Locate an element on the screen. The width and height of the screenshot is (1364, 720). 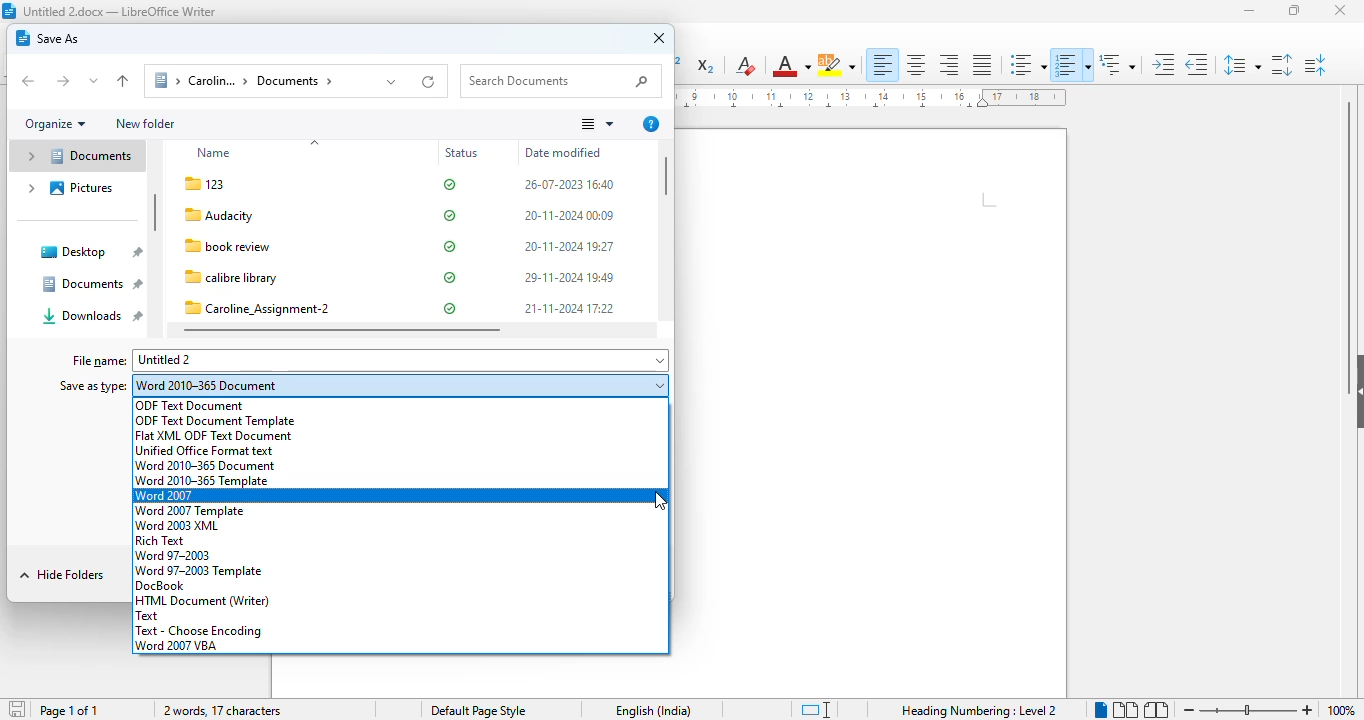
downloads is located at coordinates (92, 316).